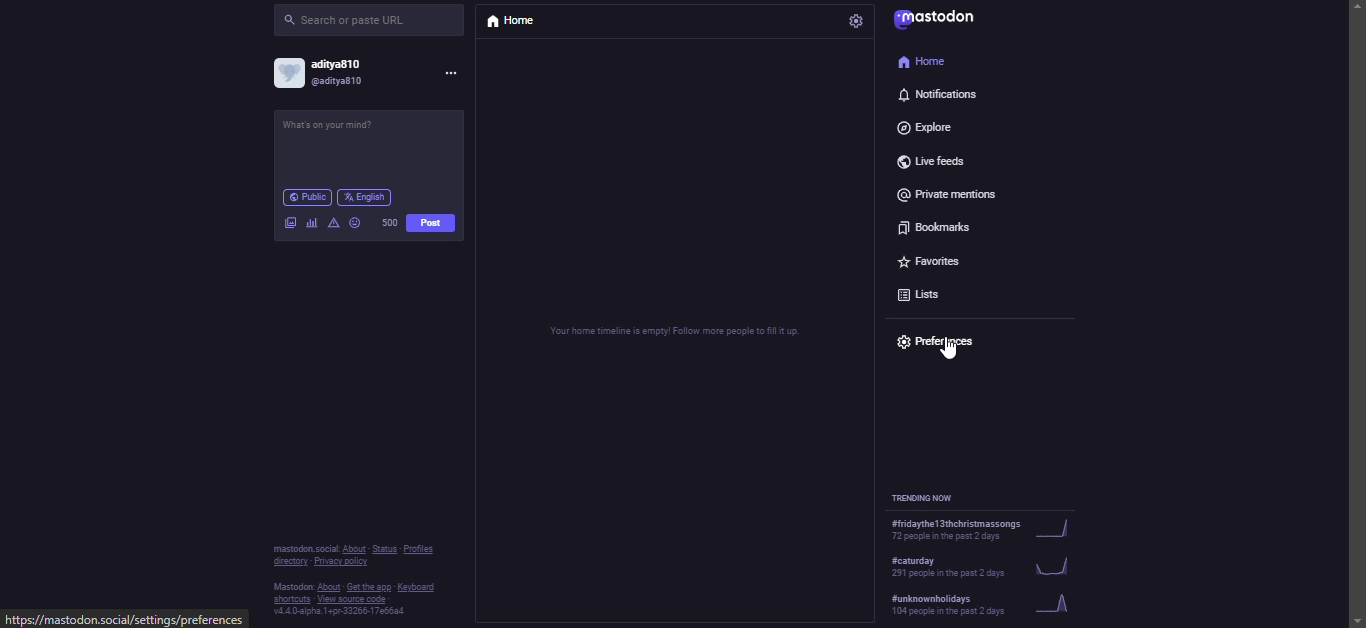 This screenshot has height=628, width=1366. Describe the element at coordinates (290, 221) in the screenshot. I see `image` at that location.